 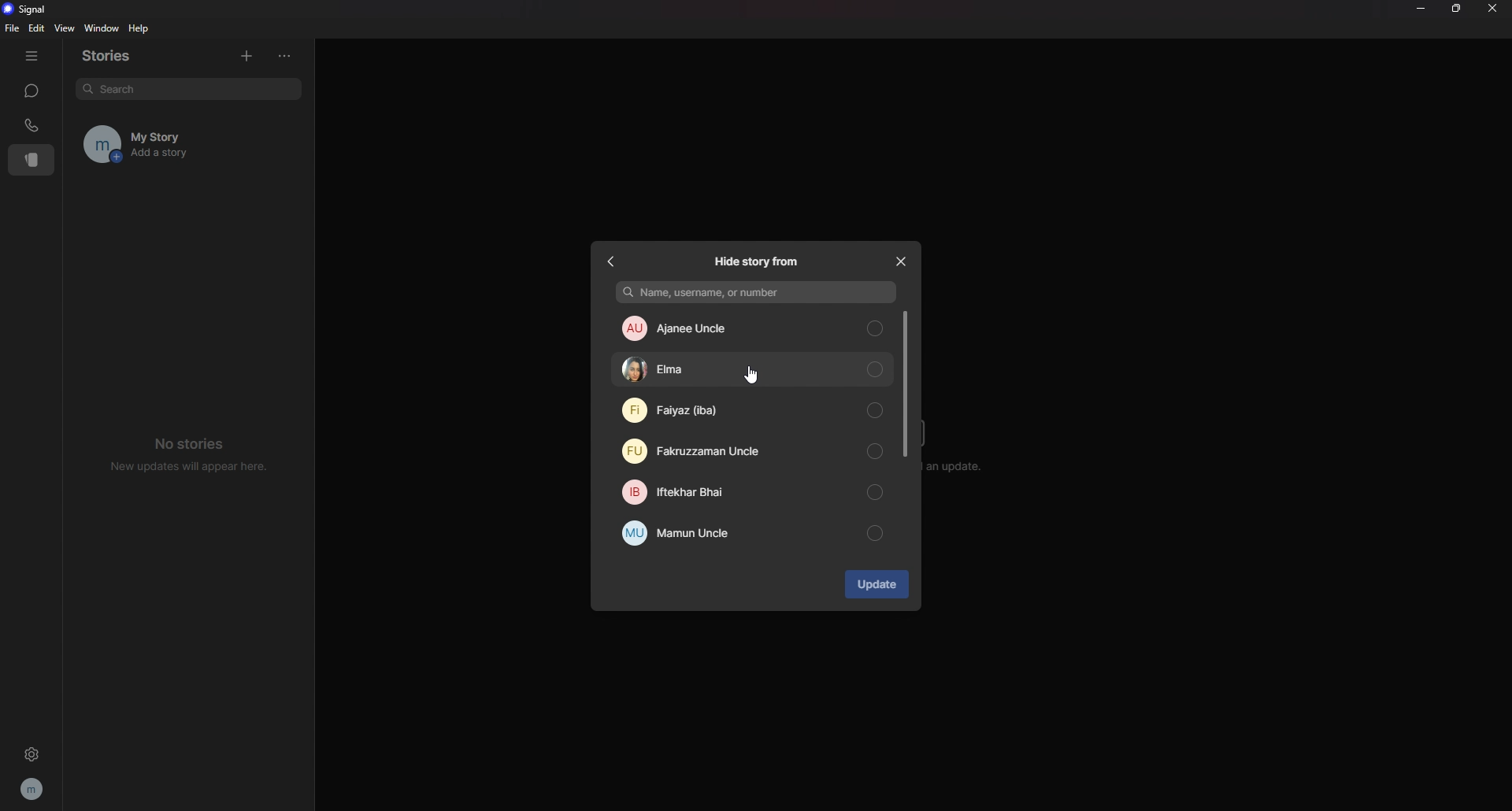 I want to click on minimize, so click(x=1420, y=8).